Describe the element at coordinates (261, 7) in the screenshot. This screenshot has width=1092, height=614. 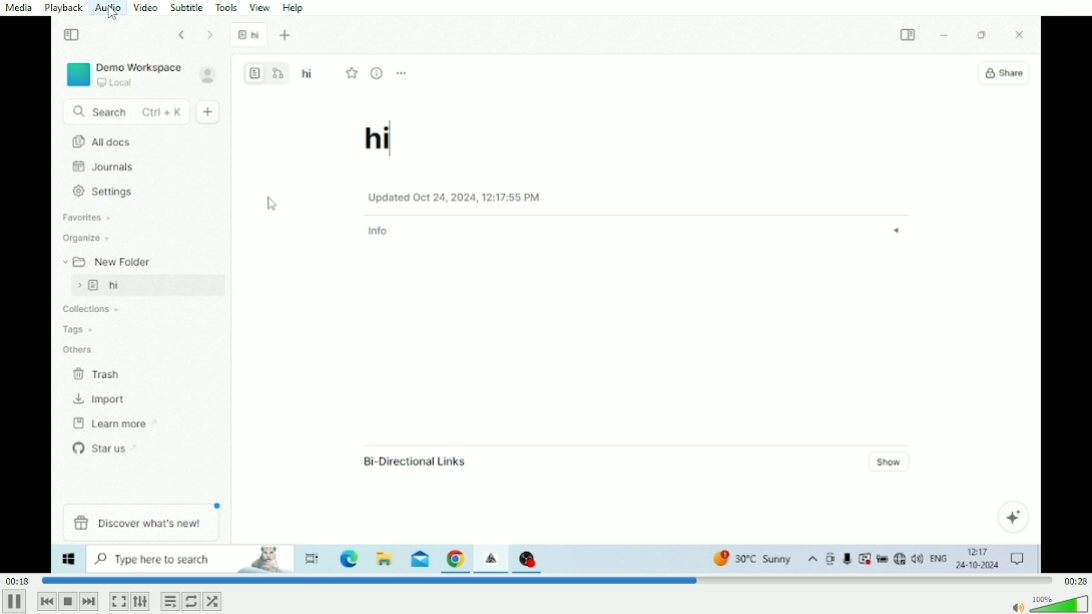
I see `View` at that location.